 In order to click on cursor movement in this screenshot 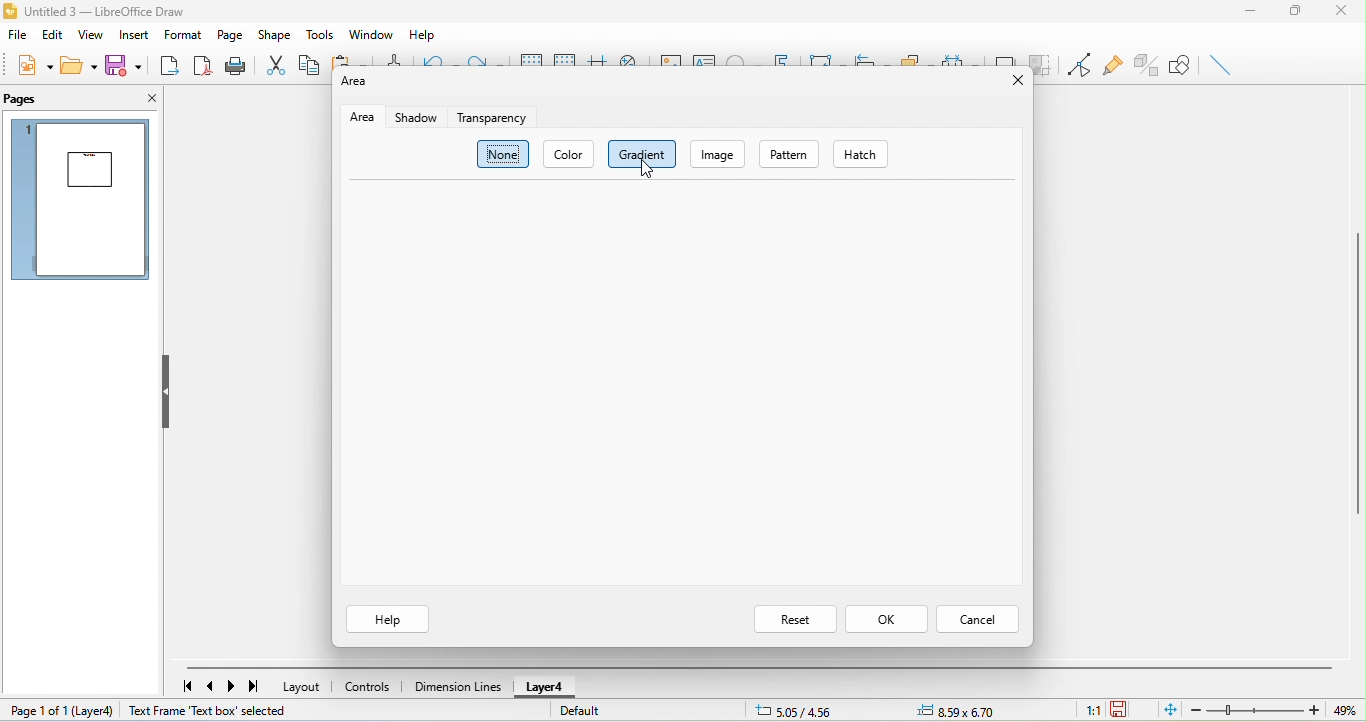, I will do `click(651, 169)`.